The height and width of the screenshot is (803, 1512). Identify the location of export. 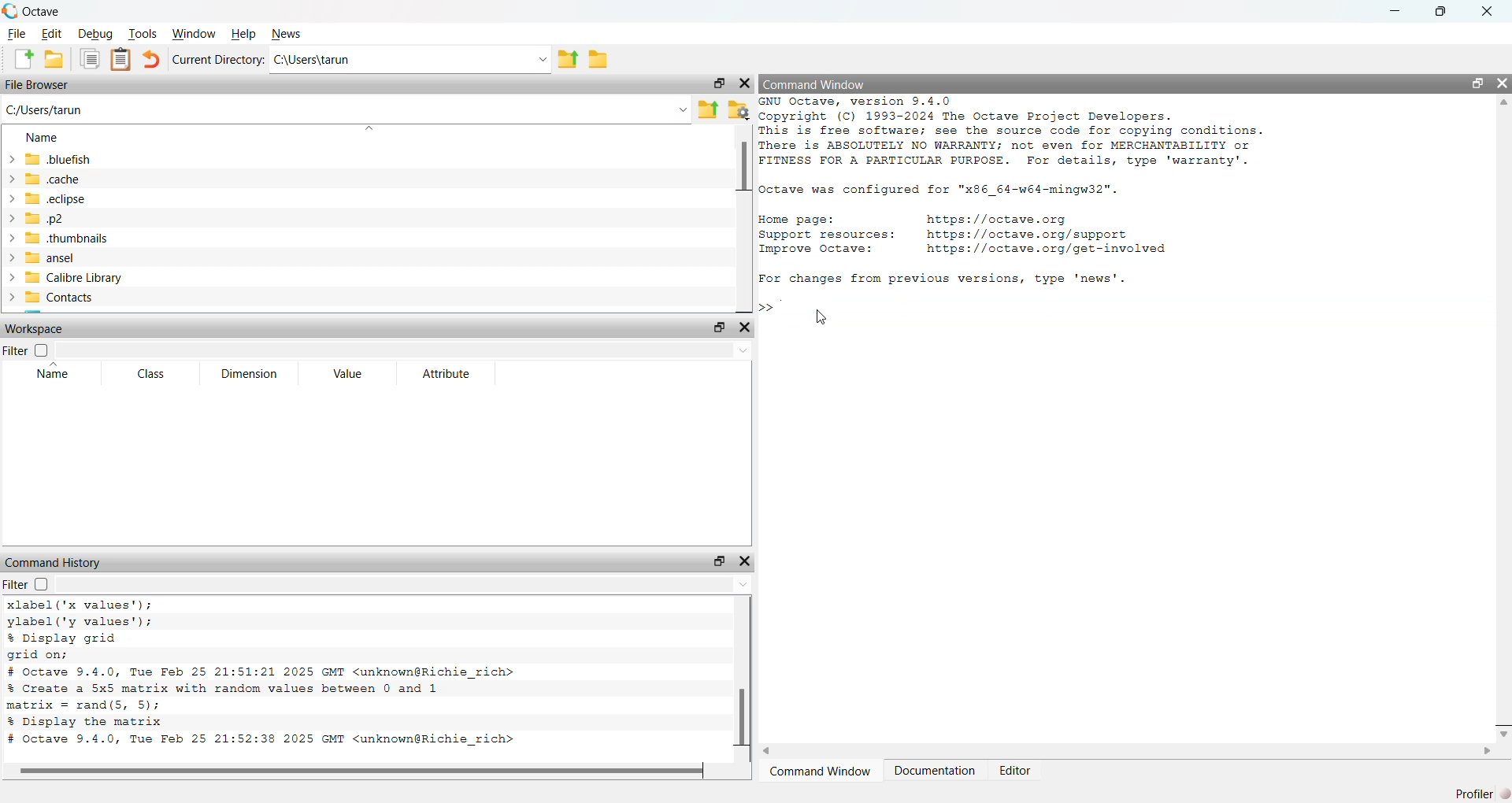
(707, 109).